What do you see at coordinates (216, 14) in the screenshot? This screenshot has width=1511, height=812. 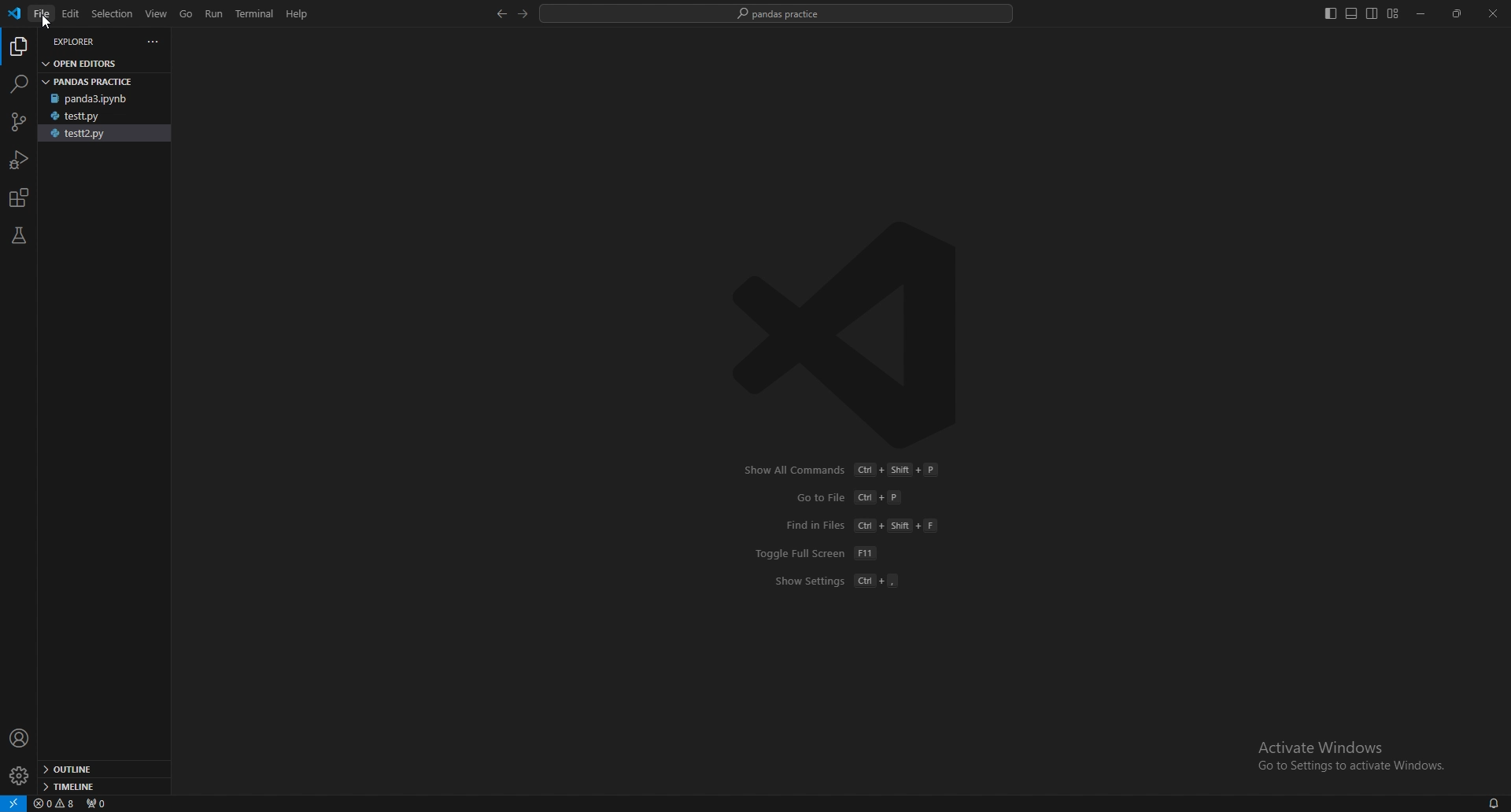 I see `run` at bounding box center [216, 14].